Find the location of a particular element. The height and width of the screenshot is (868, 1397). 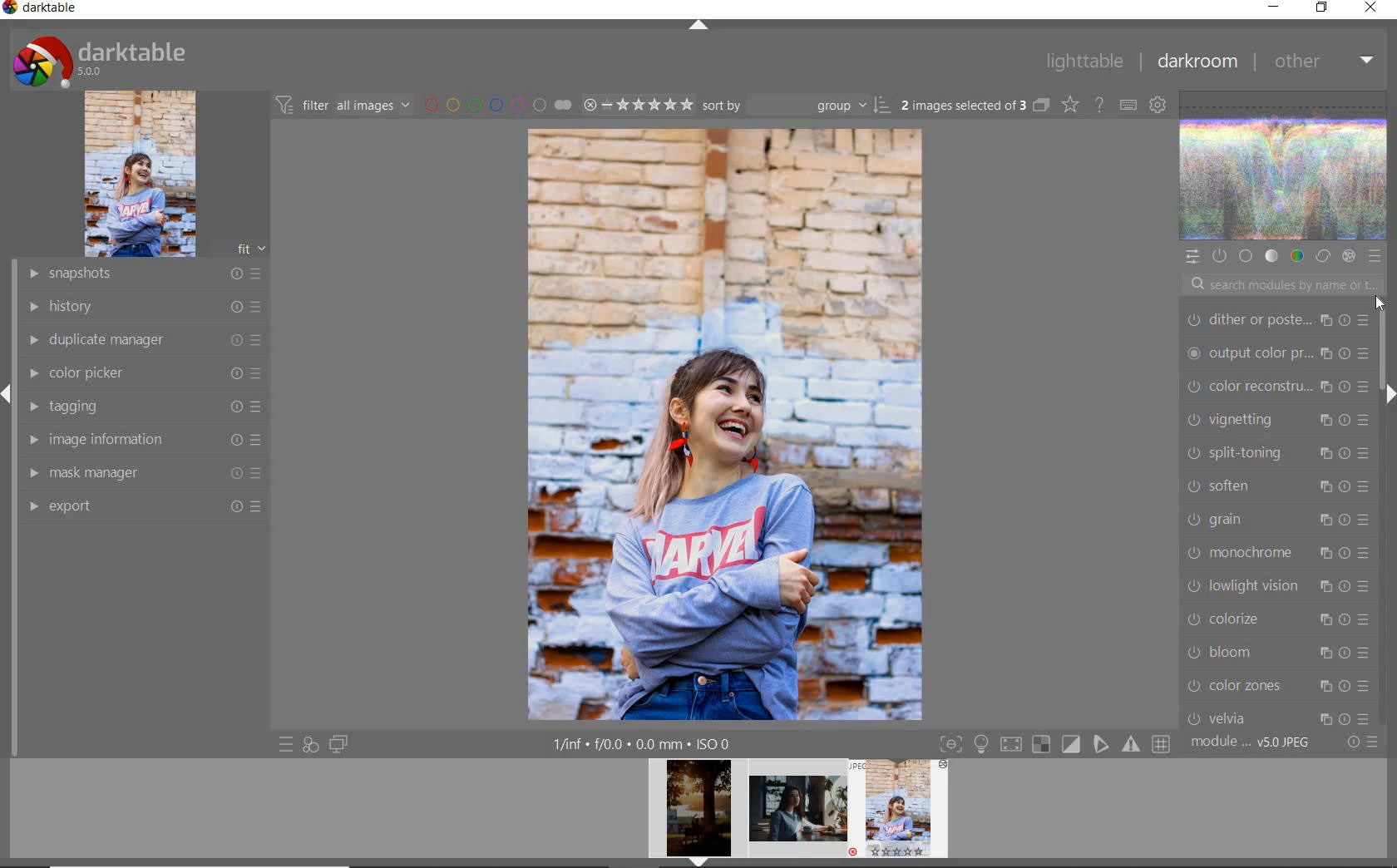

expand/collapse is located at coordinates (1387, 392).